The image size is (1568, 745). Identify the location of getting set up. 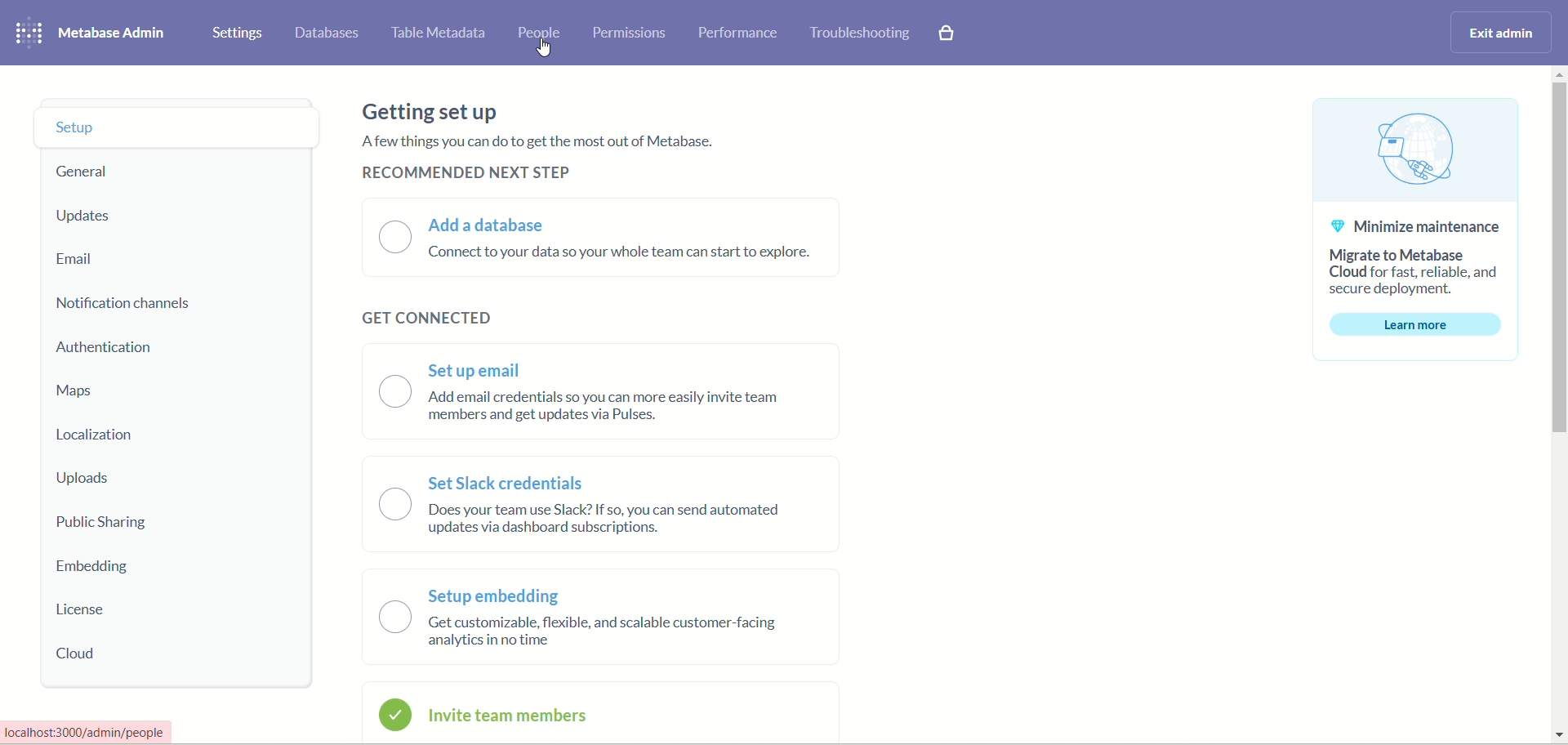
(428, 113).